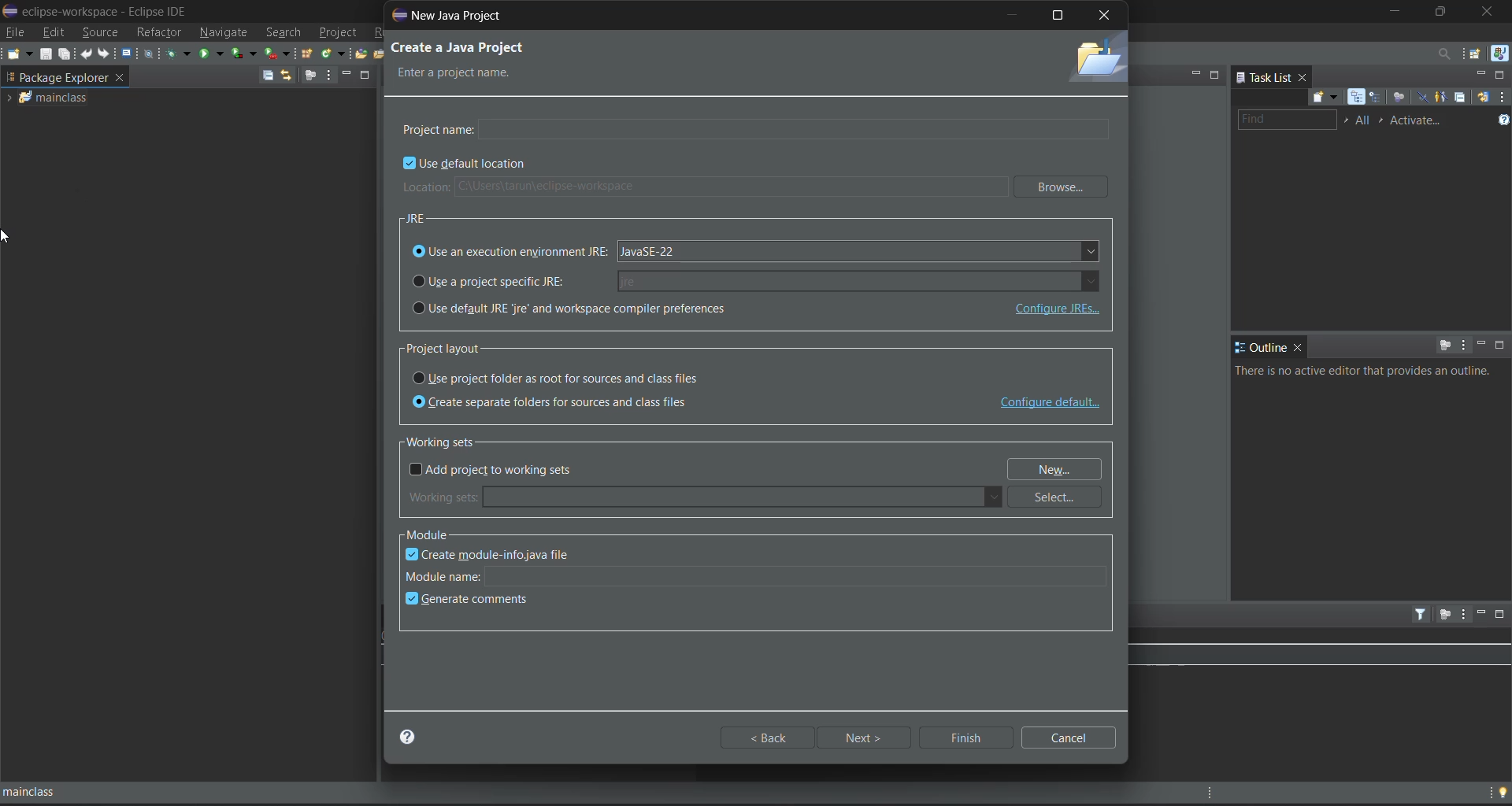 This screenshot has width=1512, height=806. What do you see at coordinates (1299, 347) in the screenshot?
I see `close` at bounding box center [1299, 347].